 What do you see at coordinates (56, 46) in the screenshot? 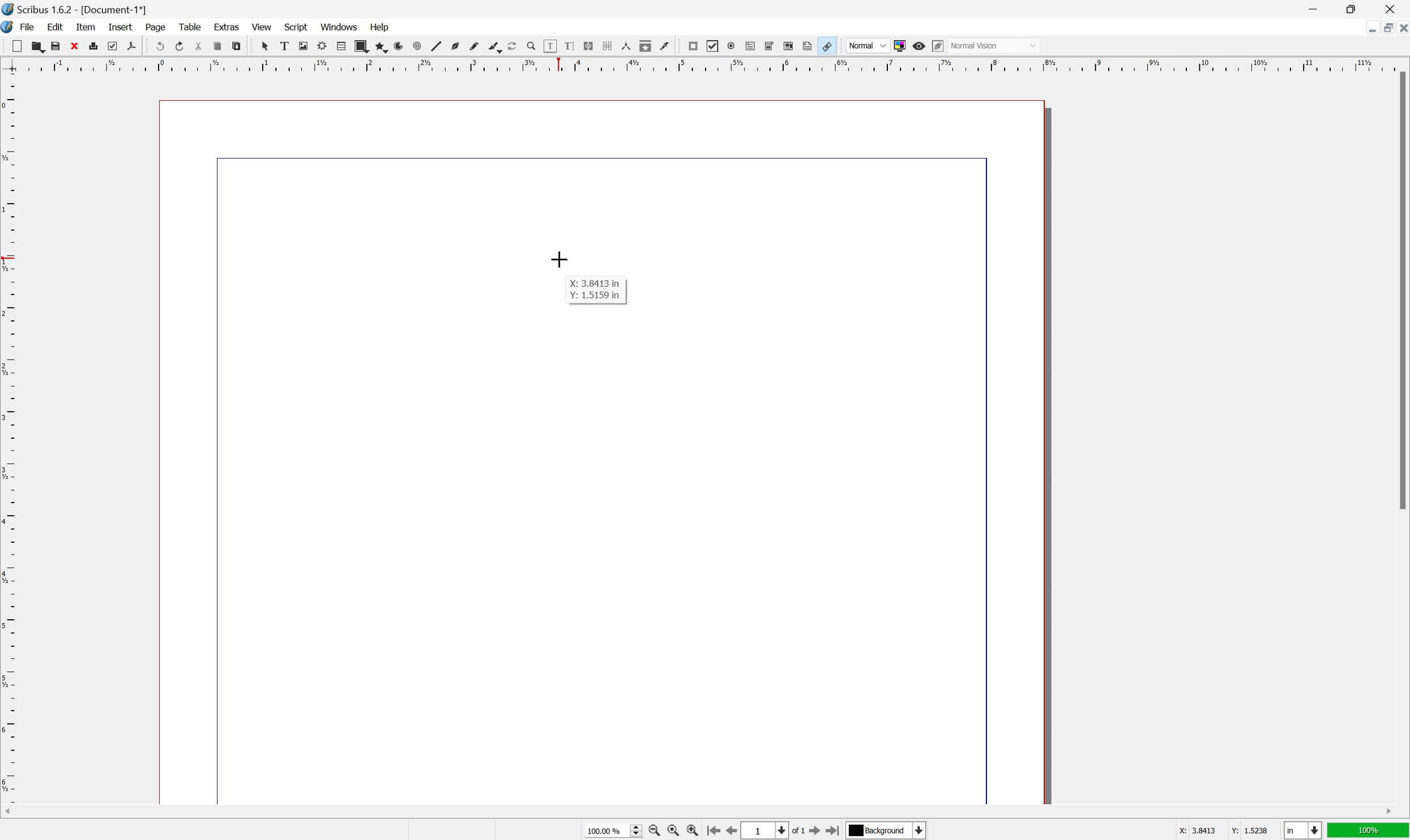
I see `save` at bounding box center [56, 46].